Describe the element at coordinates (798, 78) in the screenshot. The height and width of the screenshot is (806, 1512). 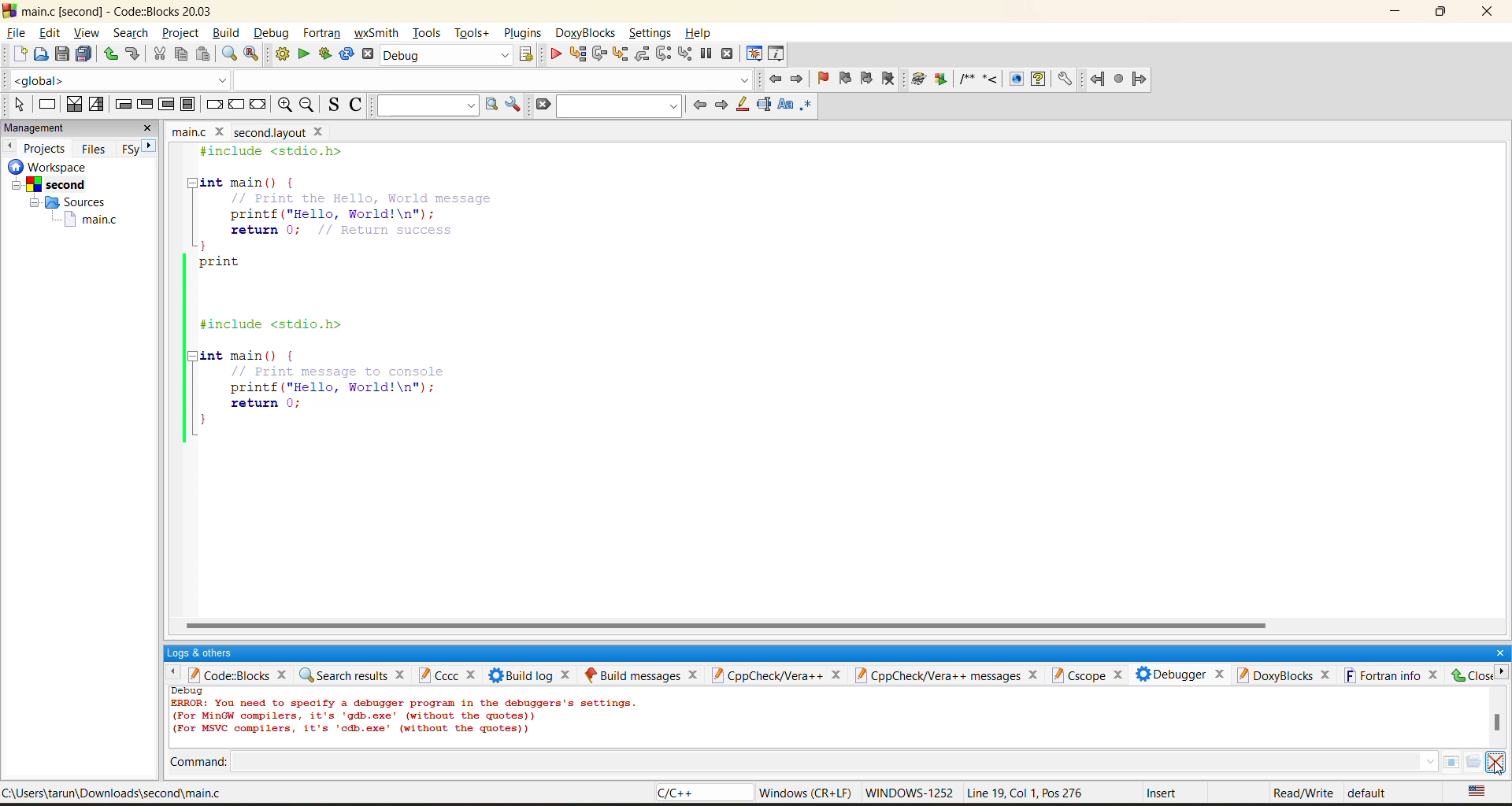
I see `jump forward` at that location.